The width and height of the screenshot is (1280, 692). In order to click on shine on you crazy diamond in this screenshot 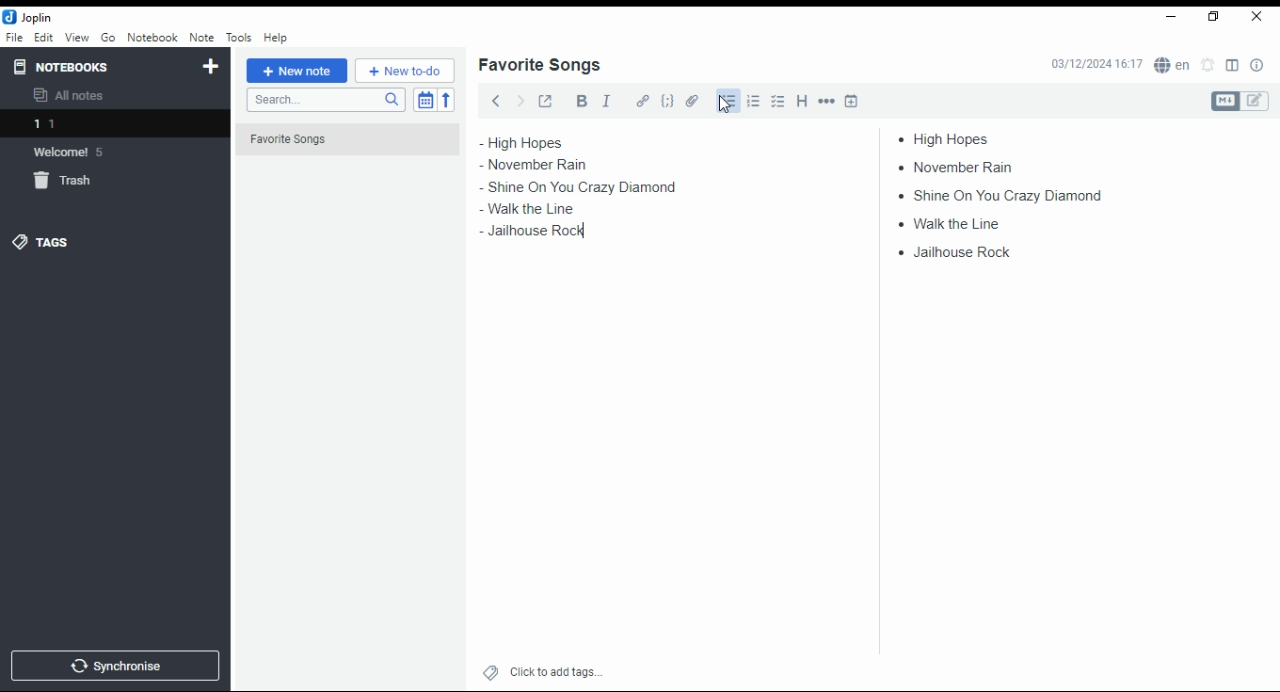, I will do `click(584, 187)`.